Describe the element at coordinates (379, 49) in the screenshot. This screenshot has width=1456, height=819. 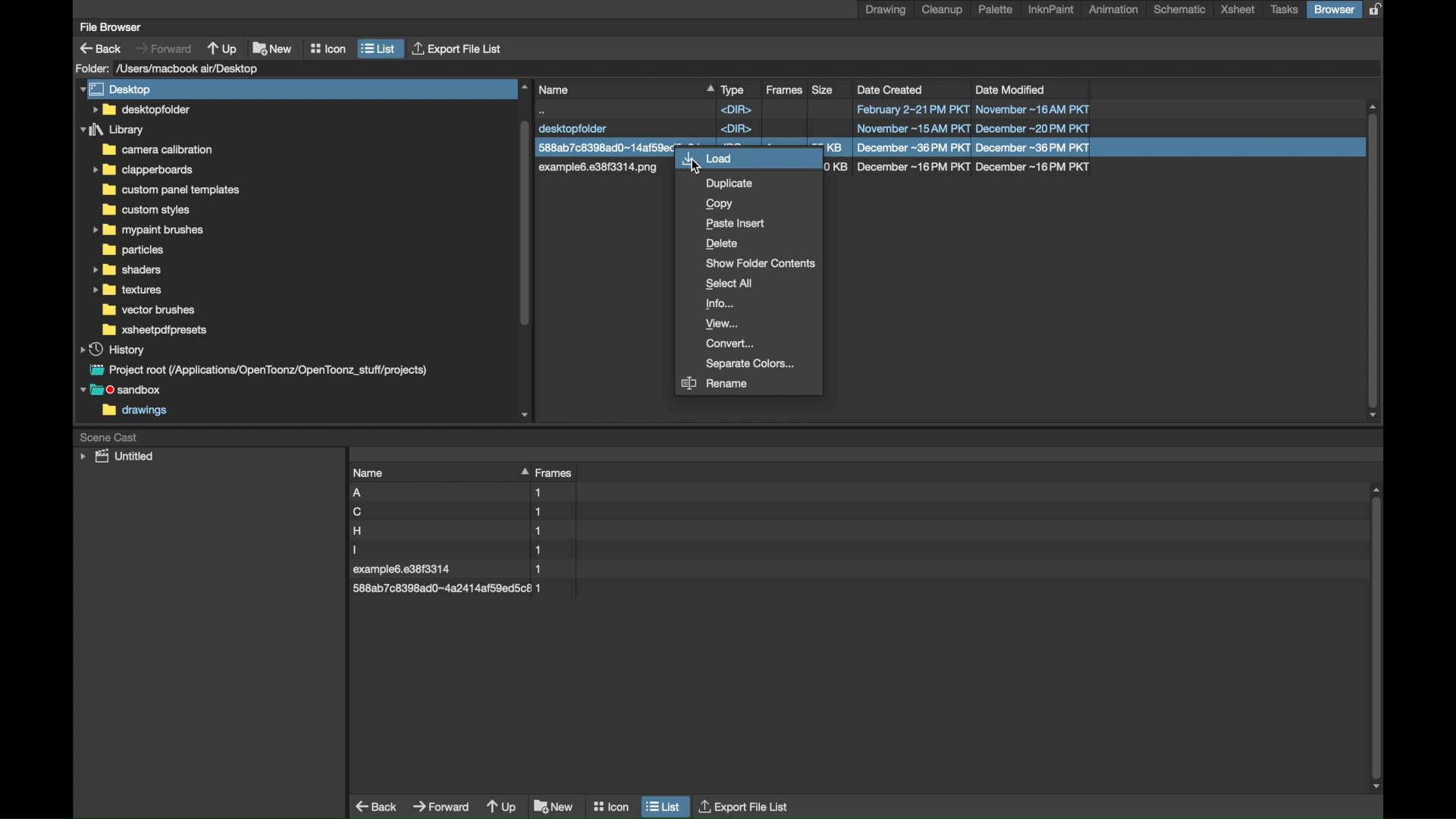
I see `list` at that location.